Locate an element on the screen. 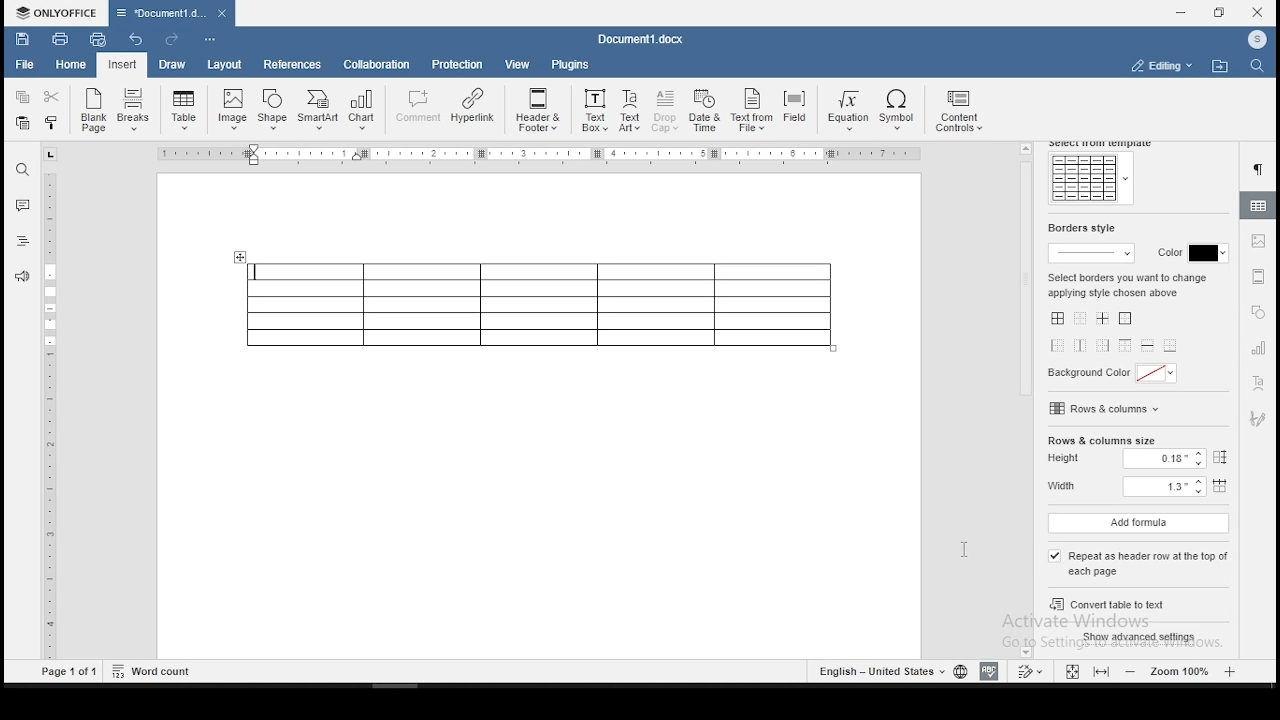 The width and height of the screenshot is (1280, 720). find is located at coordinates (23, 168).